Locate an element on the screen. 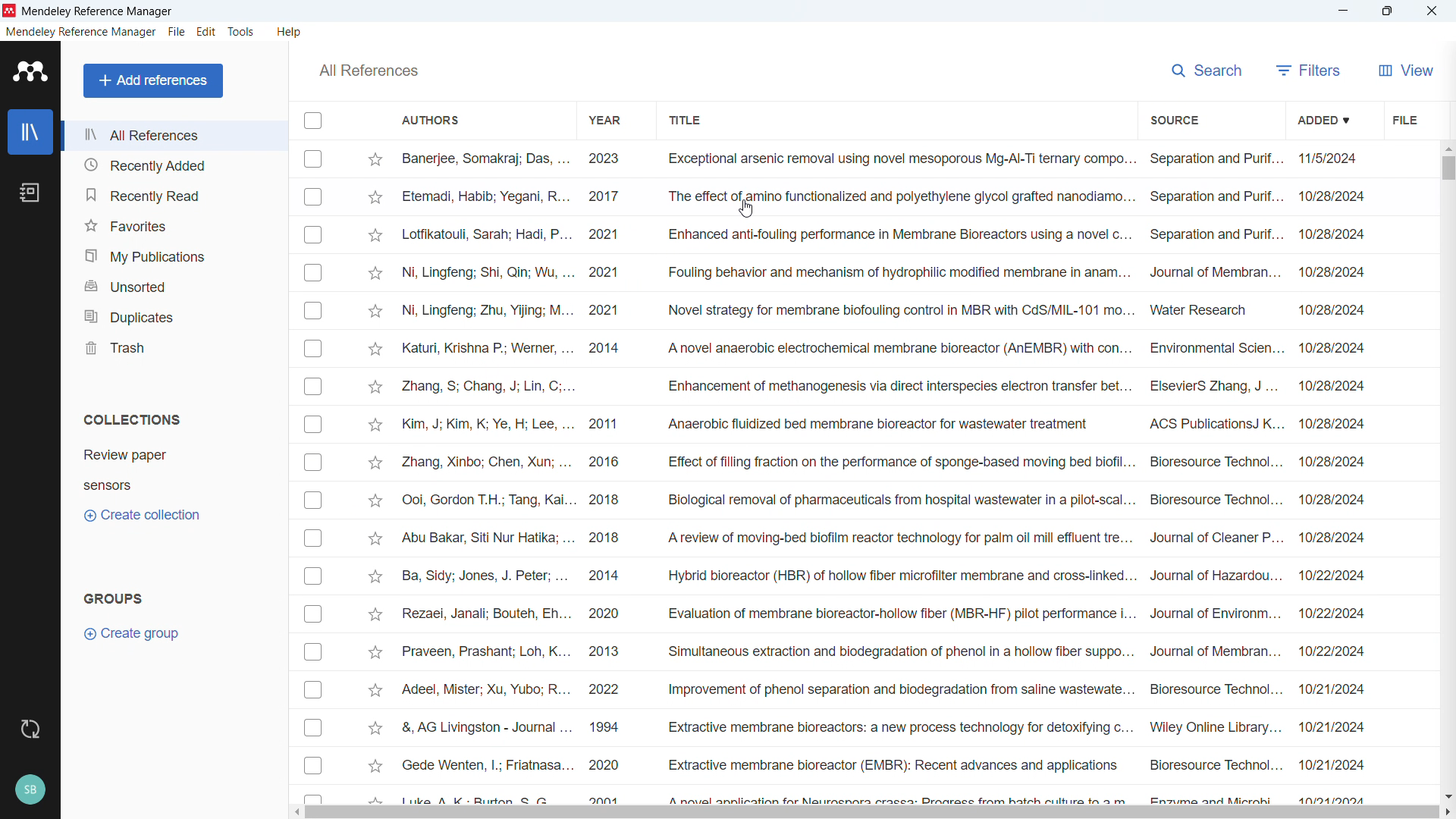  Scroll right  is located at coordinates (1447, 813).